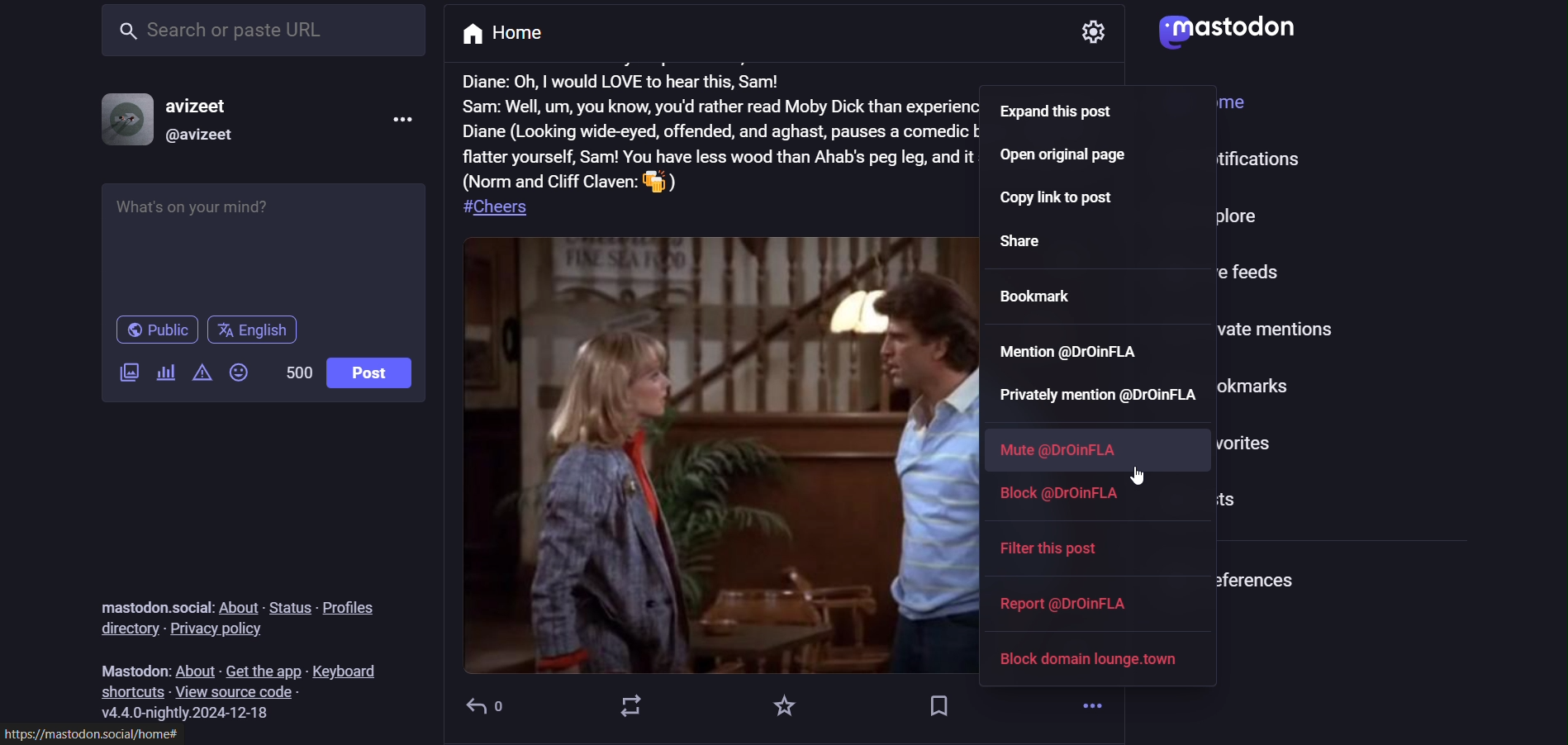  I want to click on home, so click(506, 35).